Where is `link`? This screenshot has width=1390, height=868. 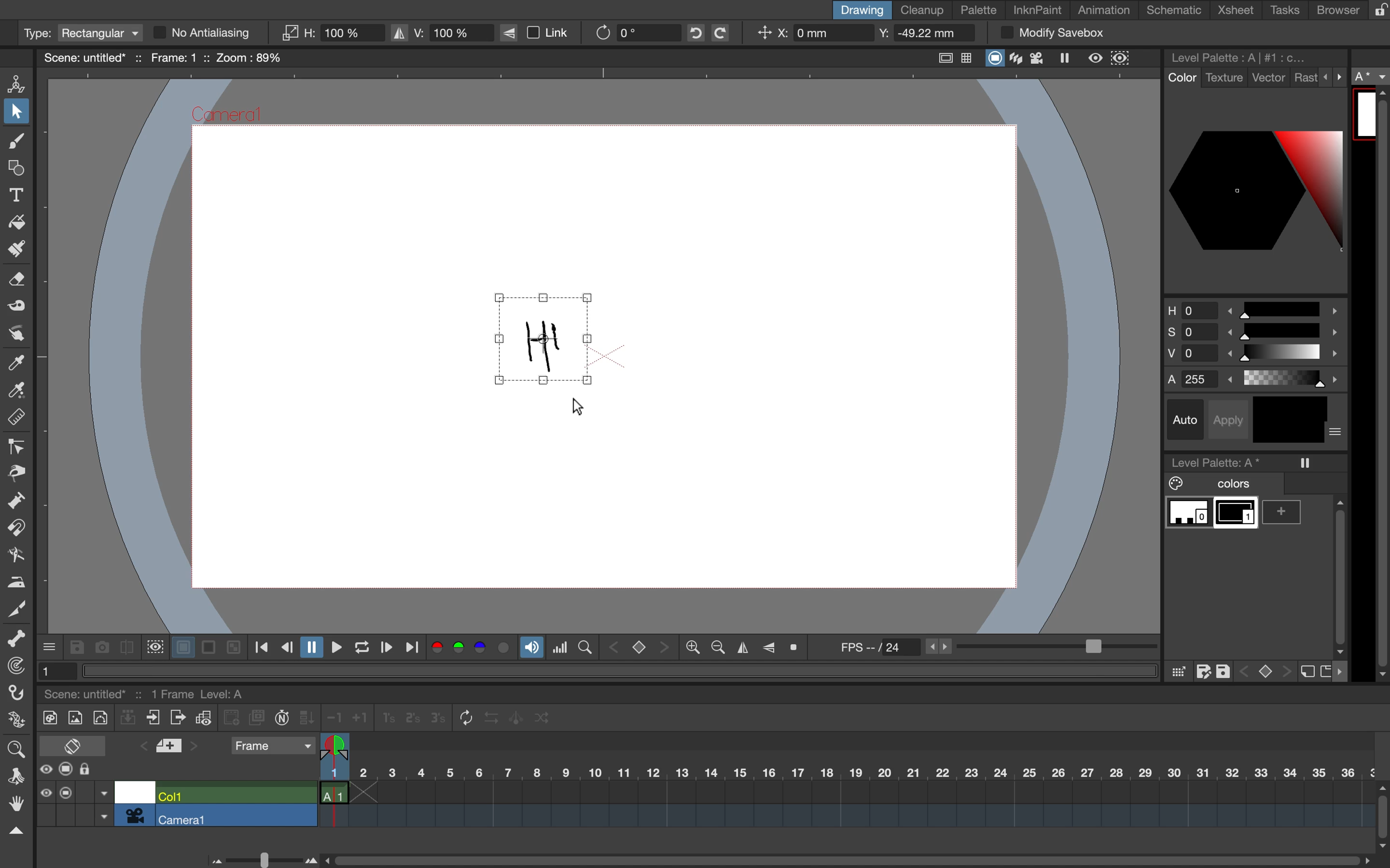 link is located at coordinates (542, 33).